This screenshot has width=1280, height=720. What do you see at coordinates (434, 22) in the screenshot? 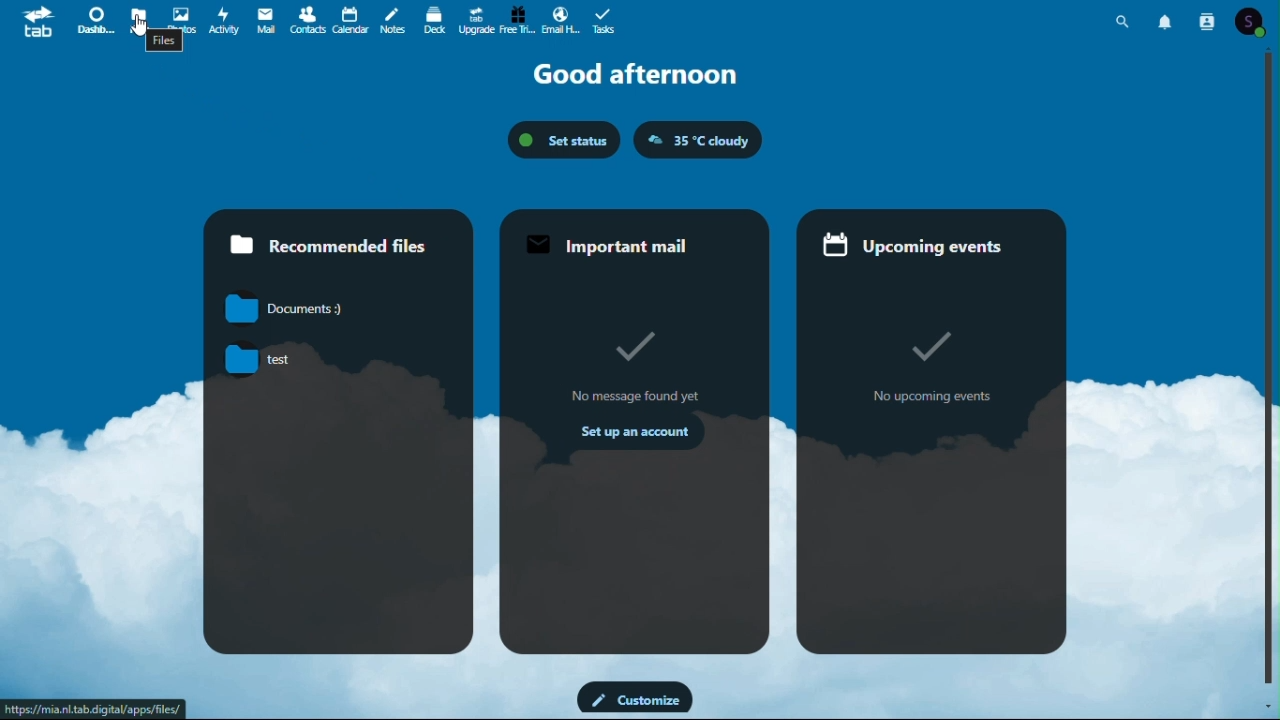
I see `deck` at bounding box center [434, 22].